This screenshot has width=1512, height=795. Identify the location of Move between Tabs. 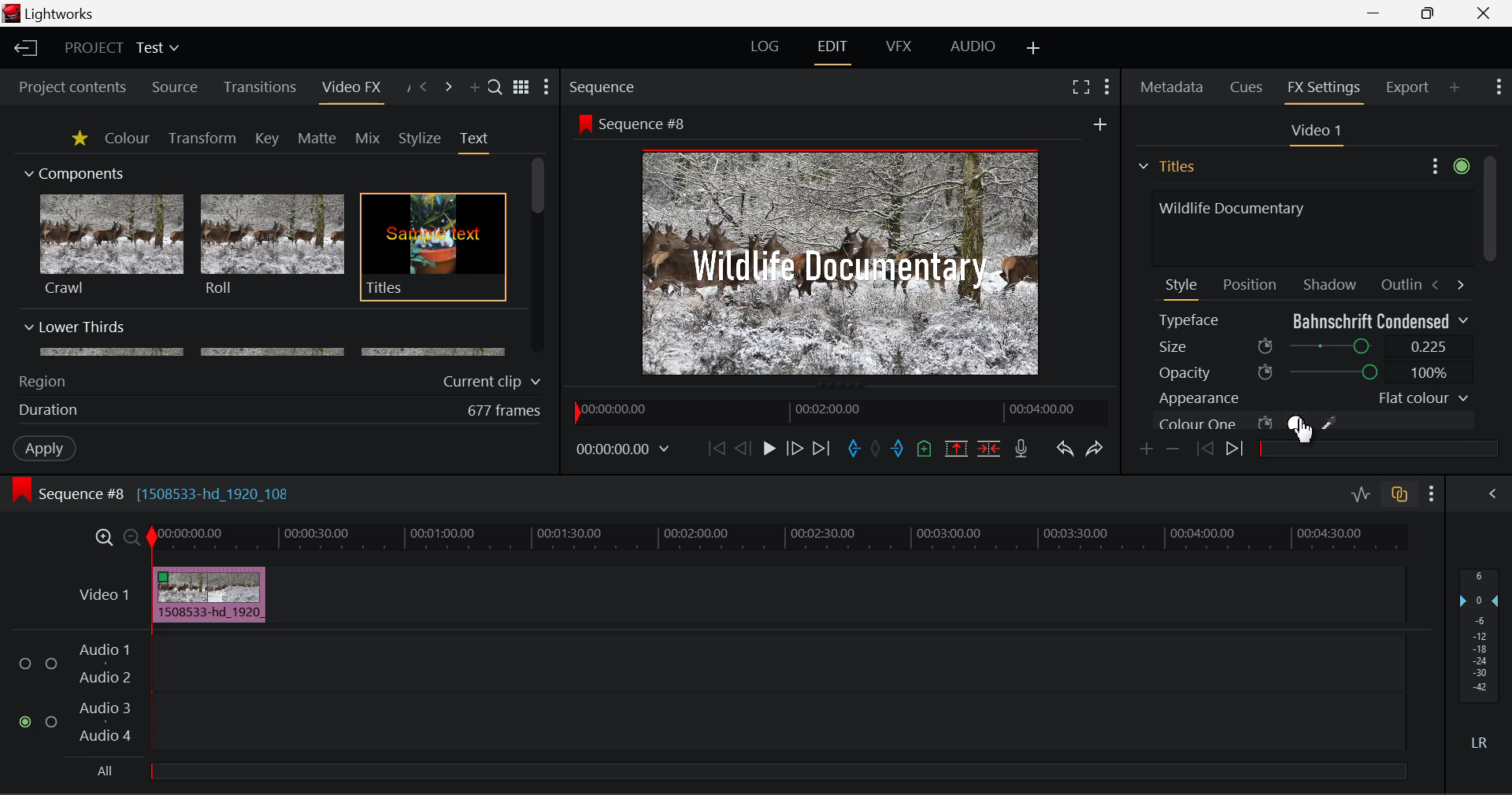
(1447, 283).